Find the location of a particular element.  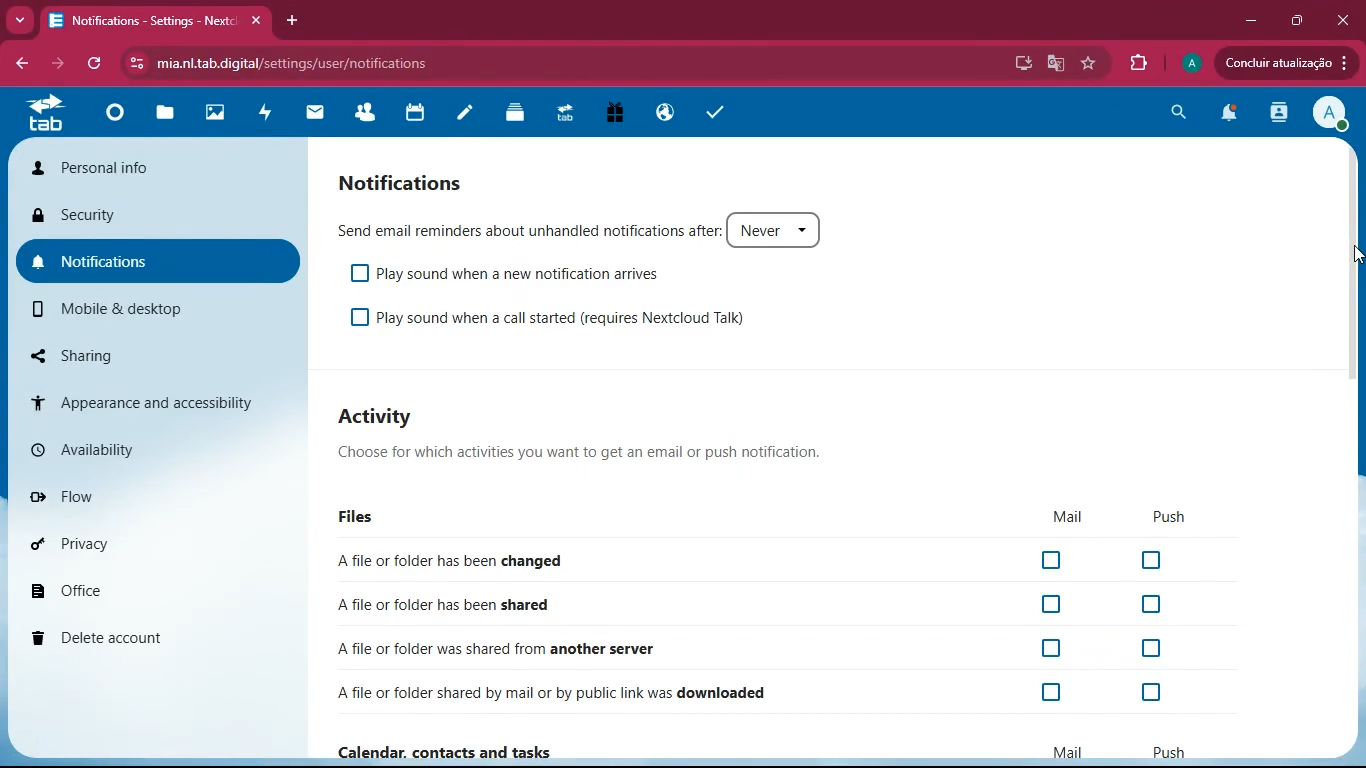

notes is located at coordinates (470, 115).